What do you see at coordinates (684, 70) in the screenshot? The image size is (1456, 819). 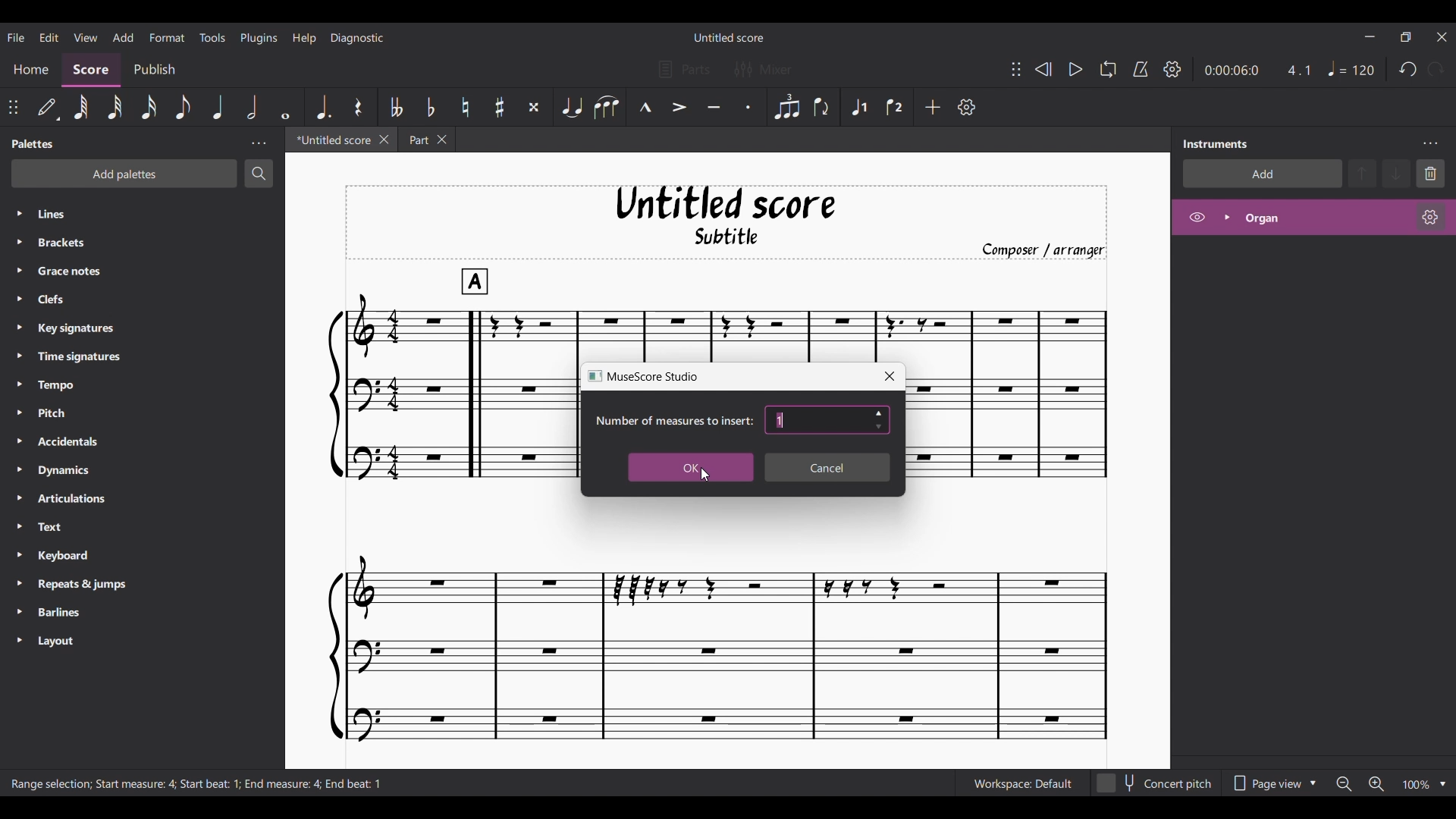 I see `Parts` at bounding box center [684, 70].